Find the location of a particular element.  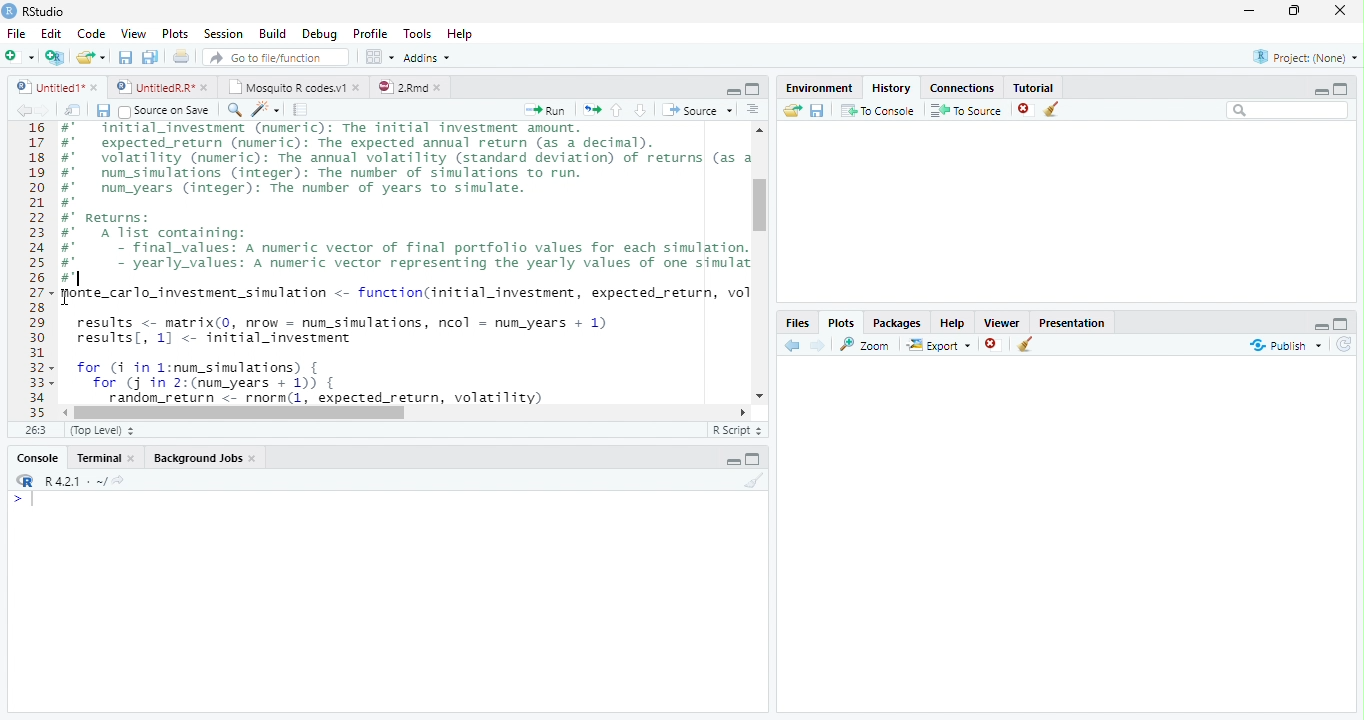

Close is located at coordinates (1342, 12).